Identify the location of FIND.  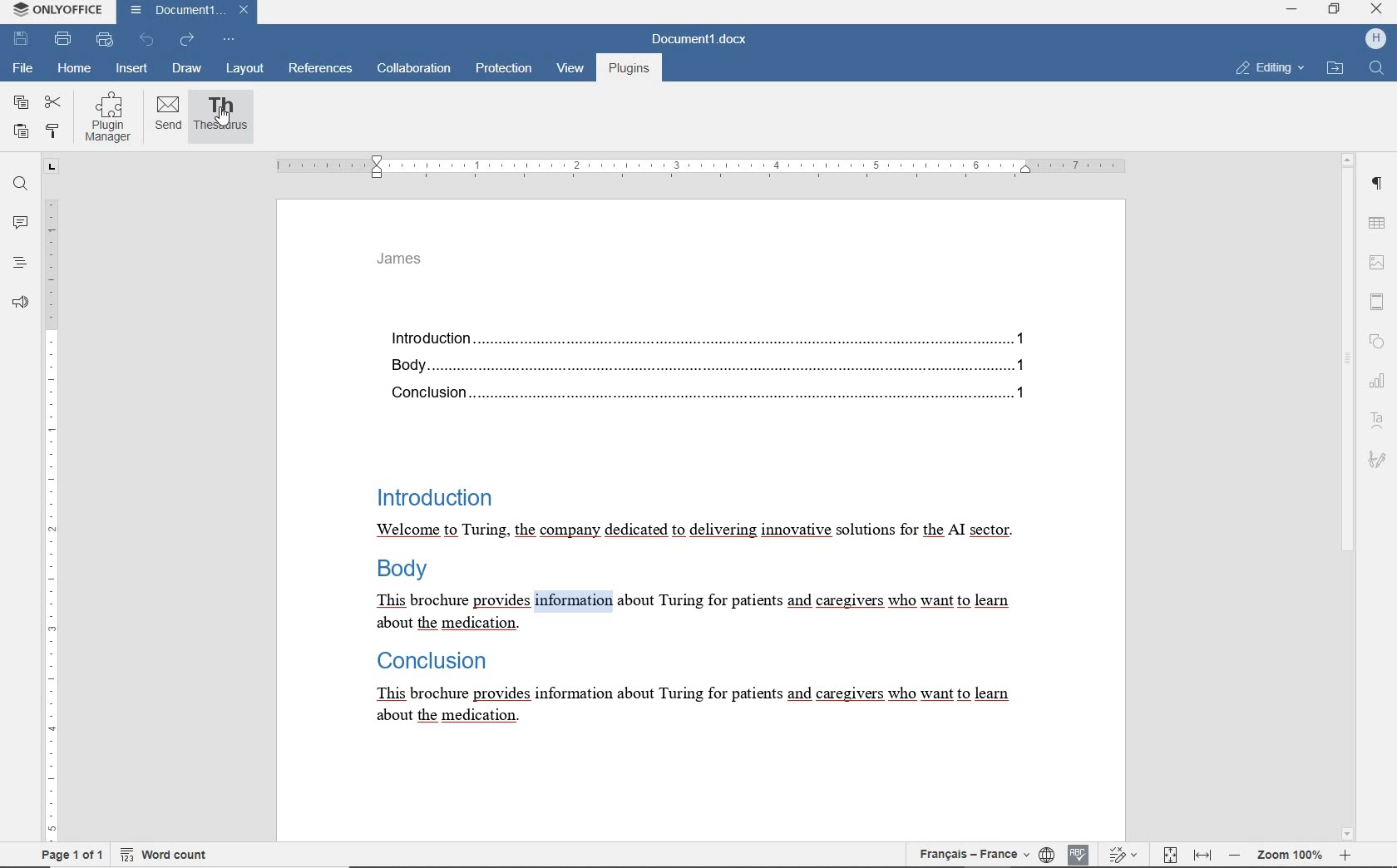
(1376, 69).